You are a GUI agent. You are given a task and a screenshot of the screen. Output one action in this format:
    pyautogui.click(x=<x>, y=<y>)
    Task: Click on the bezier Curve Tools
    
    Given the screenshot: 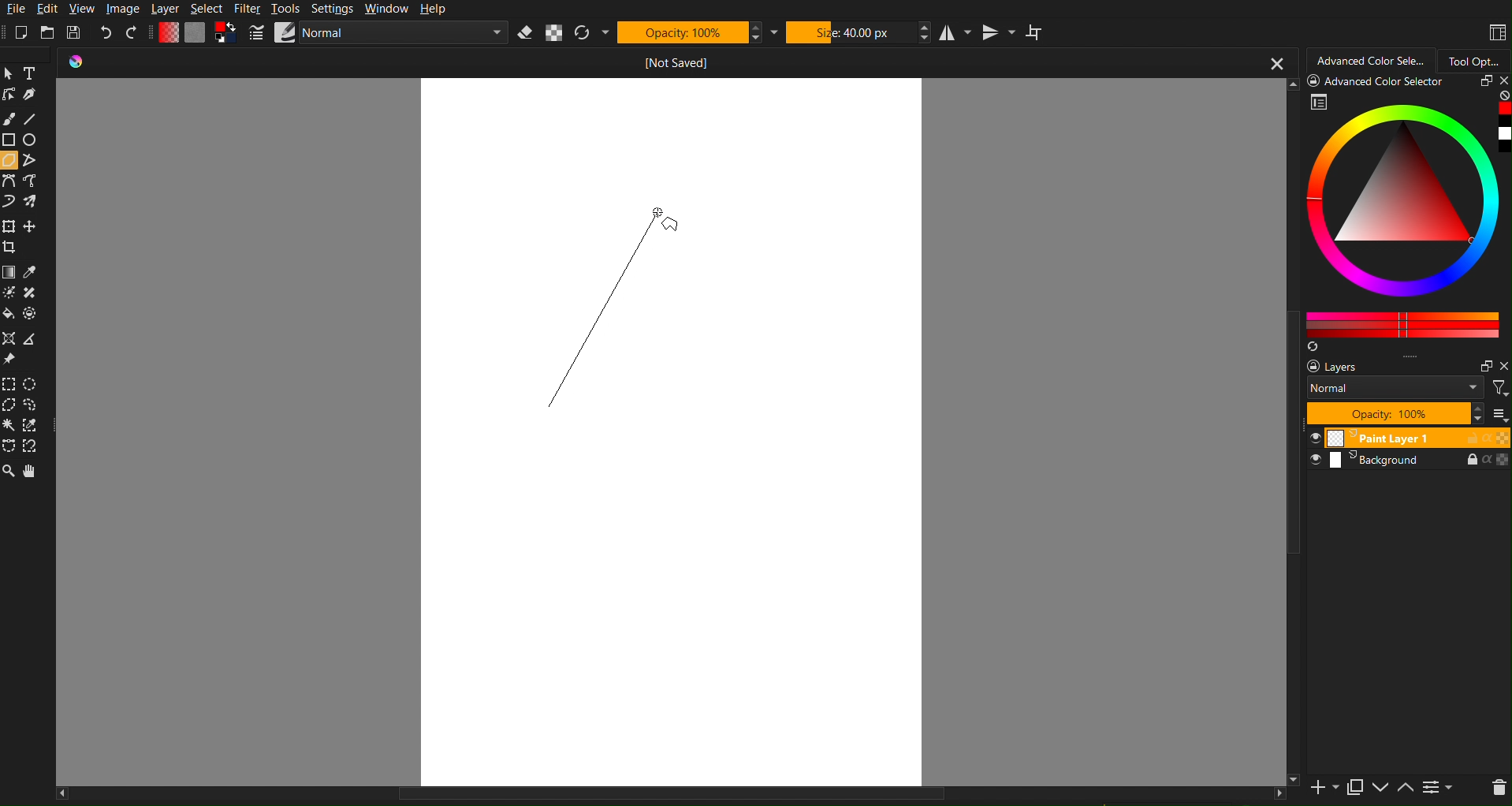 What is the action you would take?
    pyautogui.click(x=9, y=181)
    